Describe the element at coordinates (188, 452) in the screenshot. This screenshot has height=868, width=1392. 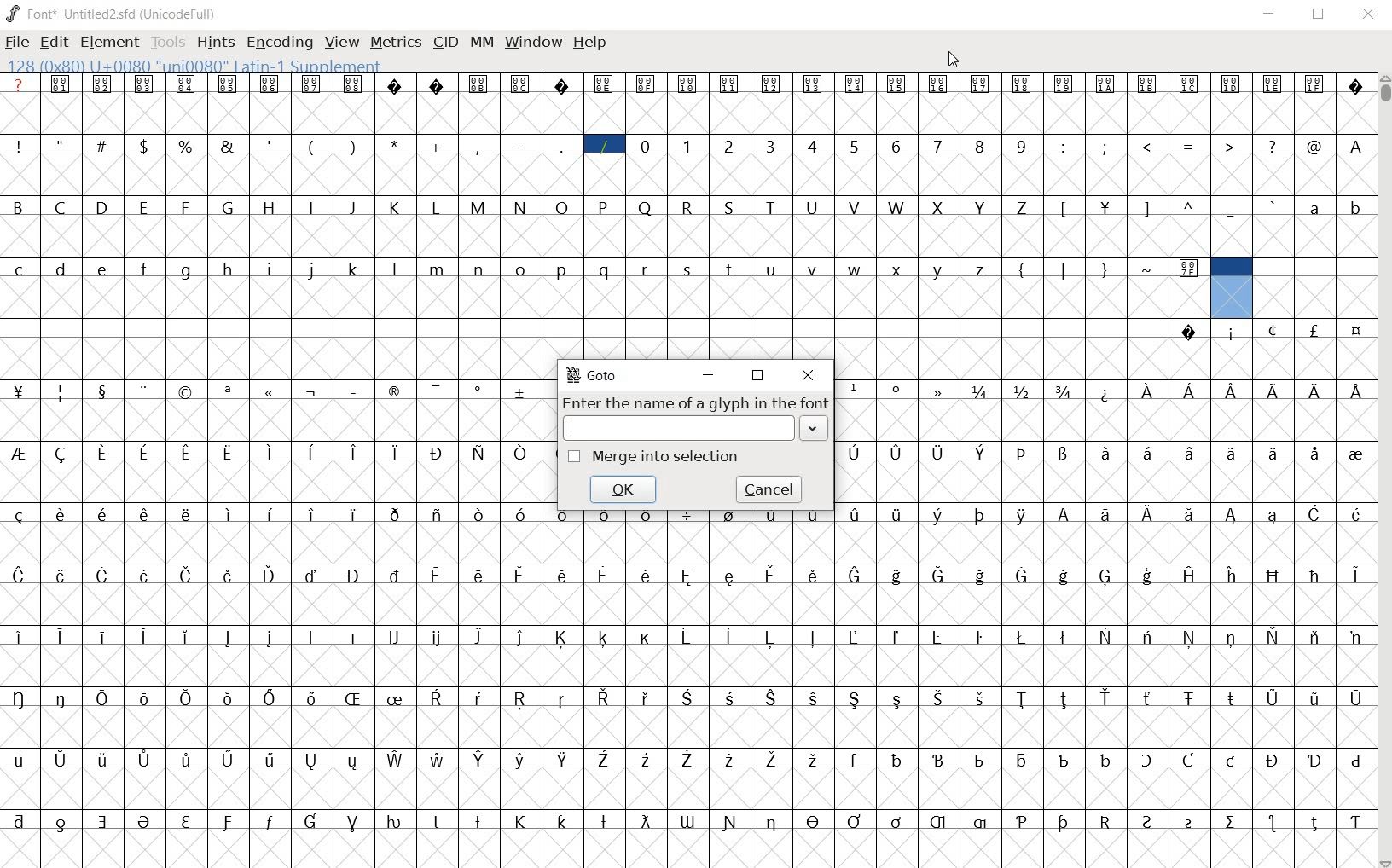
I see `Symbol` at that location.